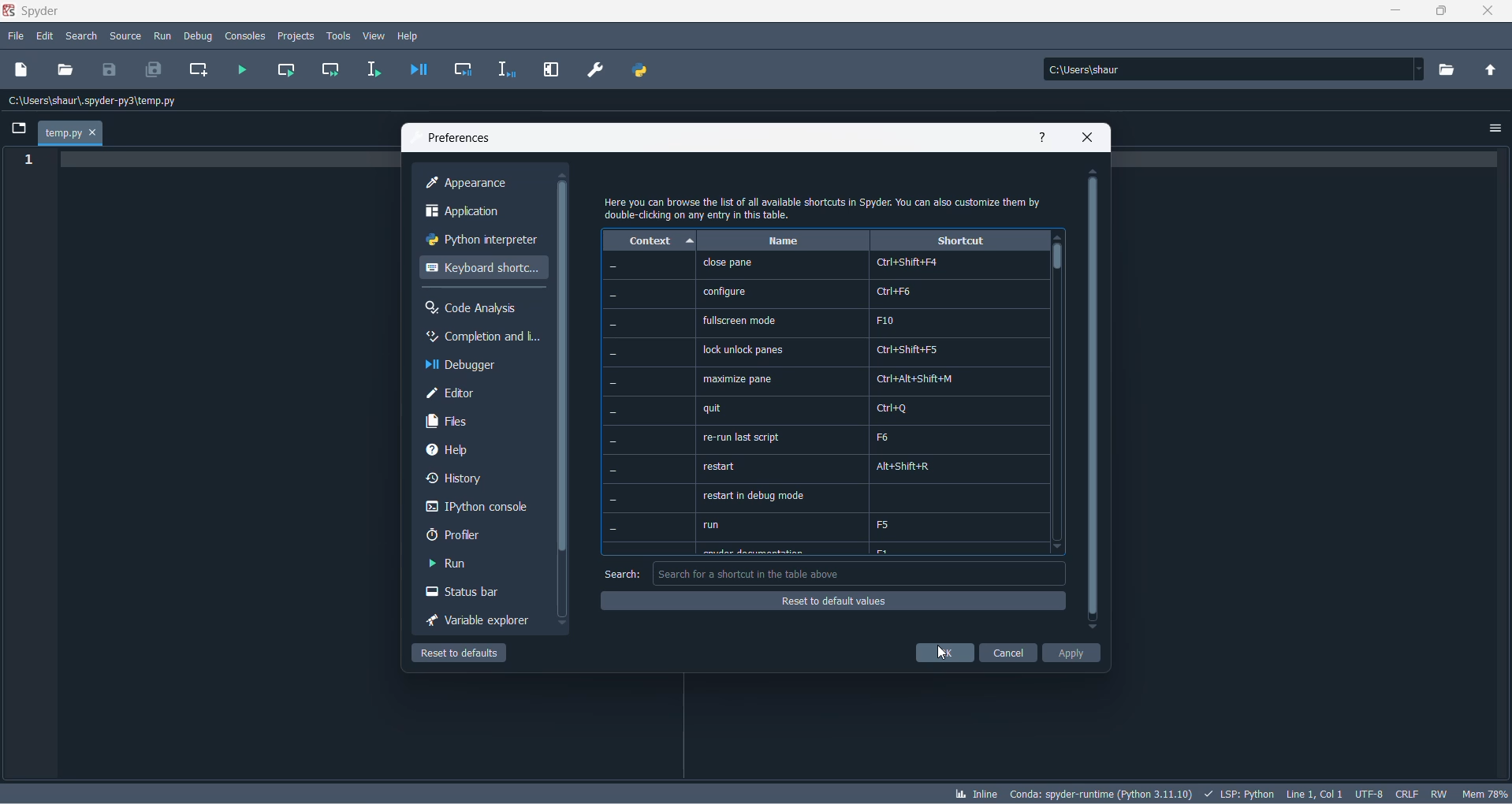 The image size is (1512, 804). What do you see at coordinates (1104, 791) in the screenshot?
I see `spyder version` at bounding box center [1104, 791].